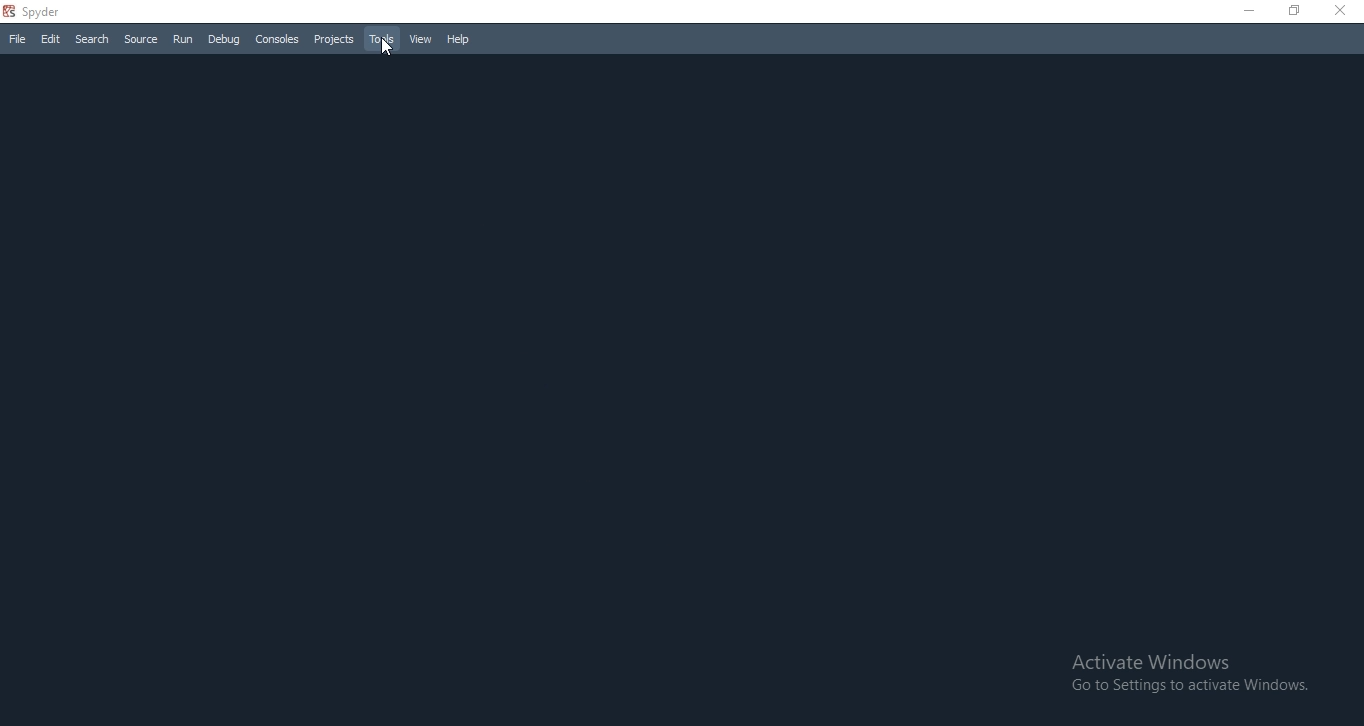 This screenshot has width=1364, height=726. What do you see at coordinates (379, 40) in the screenshot?
I see `Tools` at bounding box center [379, 40].